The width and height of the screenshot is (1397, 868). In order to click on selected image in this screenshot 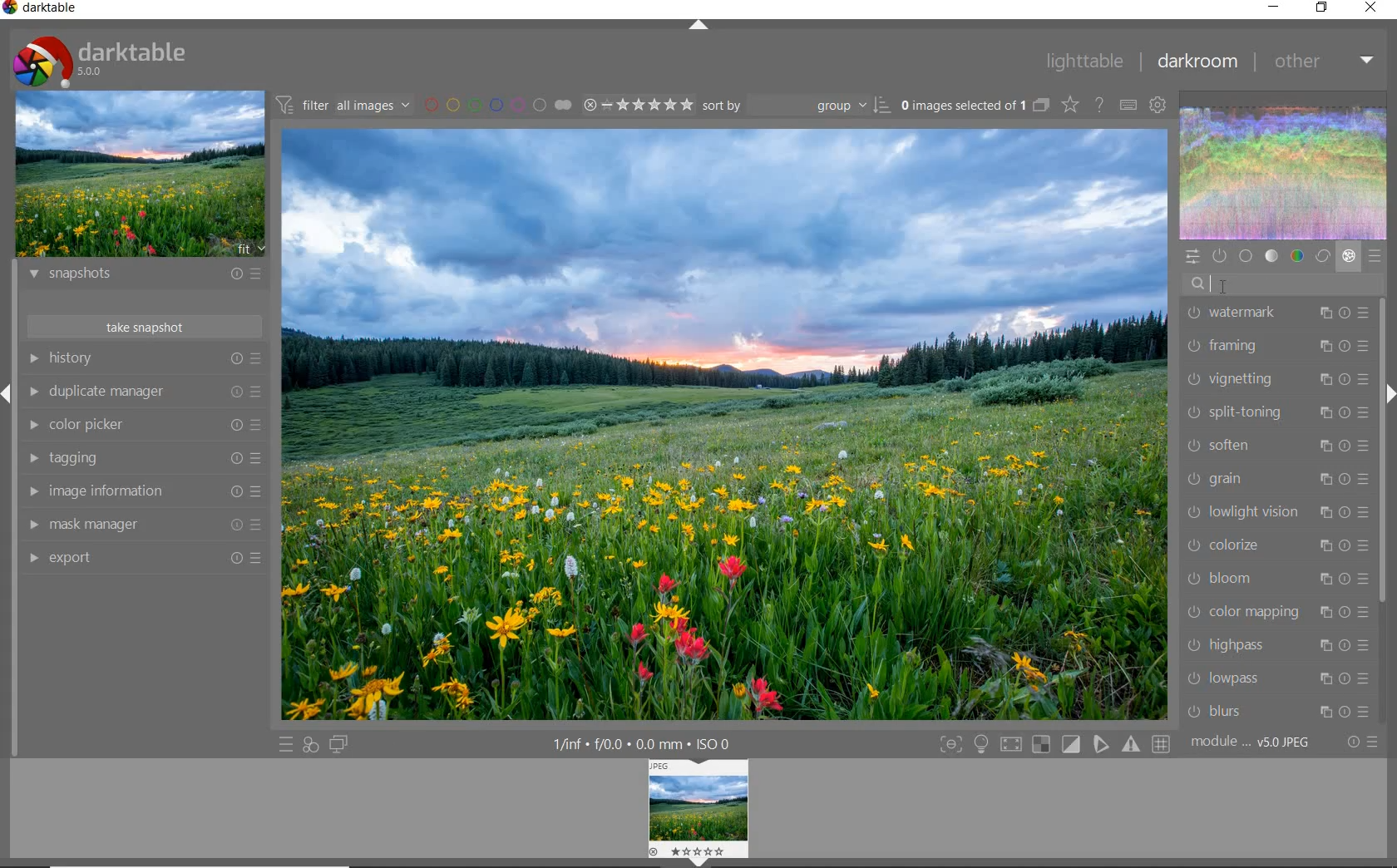, I will do `click(725, 425)`.